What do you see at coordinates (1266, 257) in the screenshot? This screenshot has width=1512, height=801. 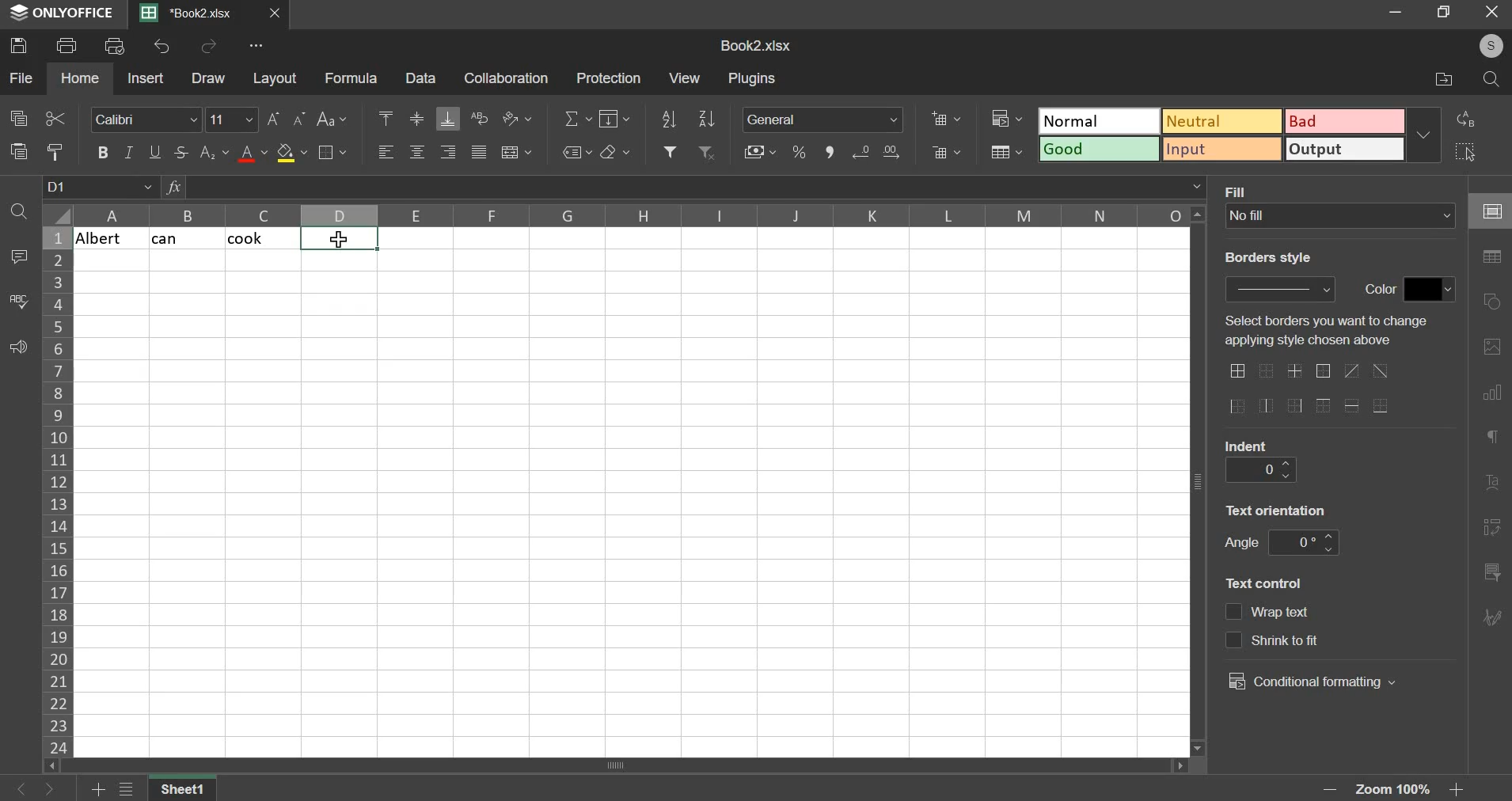 I see `text` at bounding box center [1266, 257].